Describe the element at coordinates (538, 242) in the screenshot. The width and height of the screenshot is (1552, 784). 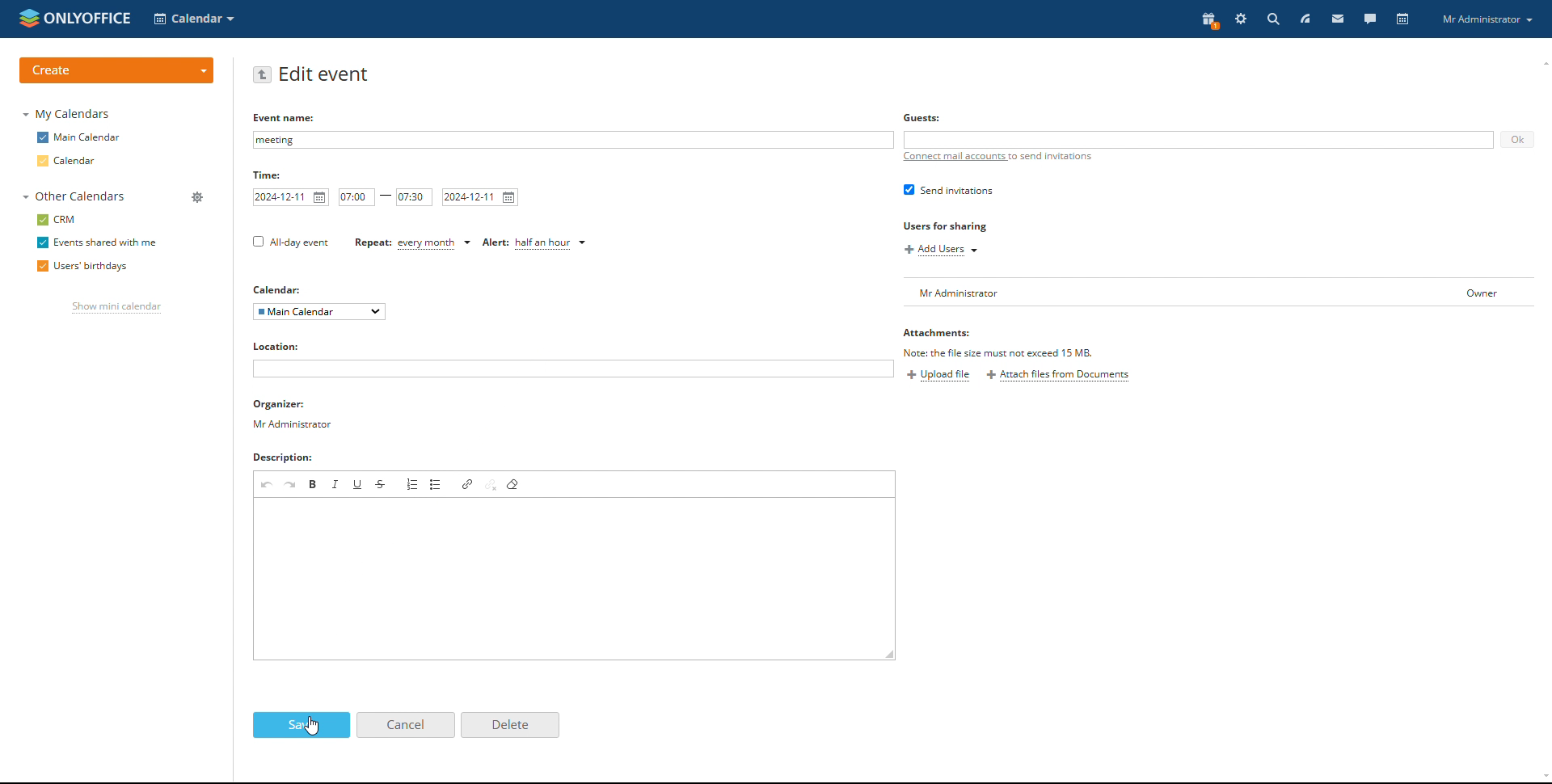
I see `adjusted alert time` at that location.